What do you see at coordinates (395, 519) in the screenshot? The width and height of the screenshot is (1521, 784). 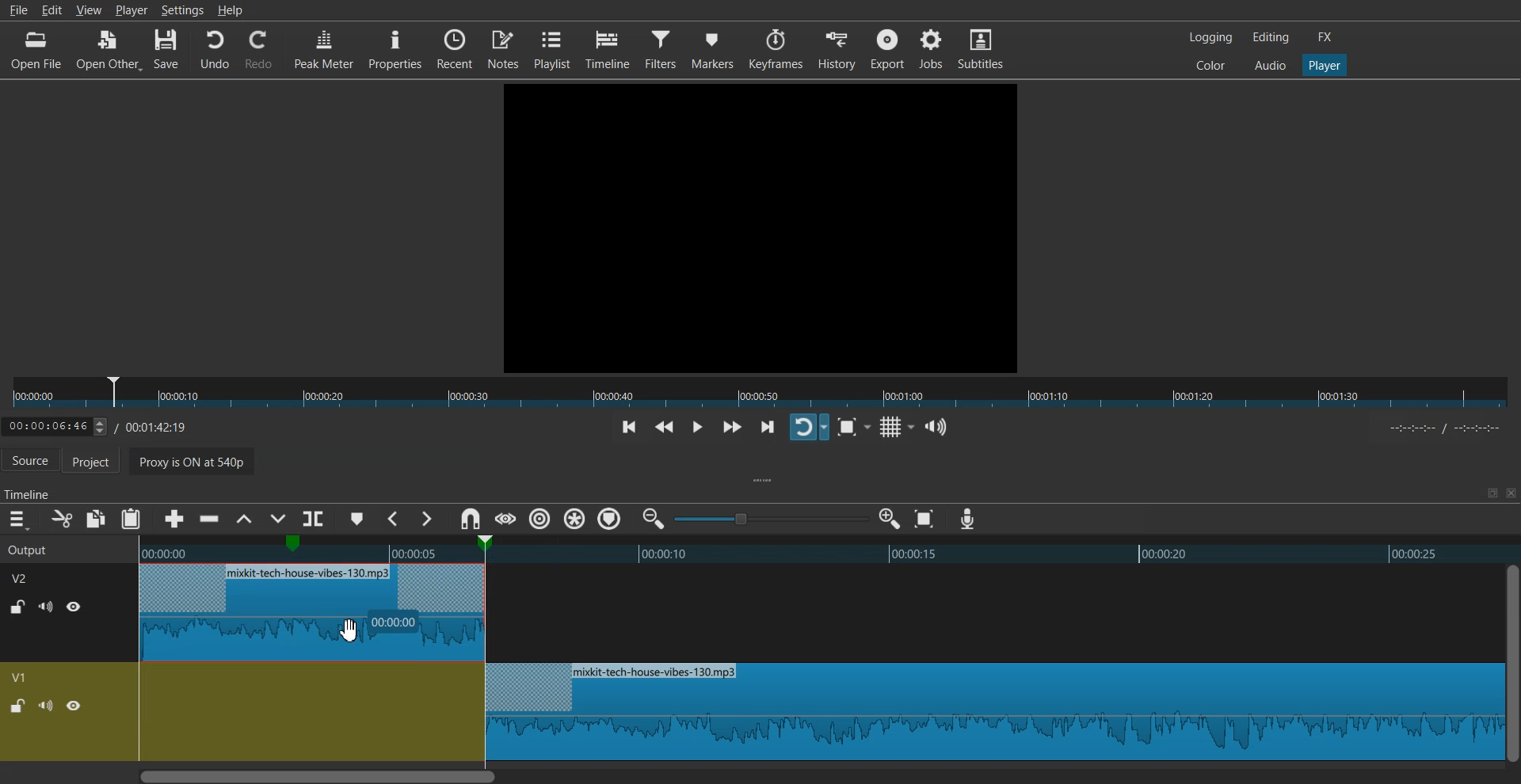 I see `Previous Marker` at bounding box center [395, 519].